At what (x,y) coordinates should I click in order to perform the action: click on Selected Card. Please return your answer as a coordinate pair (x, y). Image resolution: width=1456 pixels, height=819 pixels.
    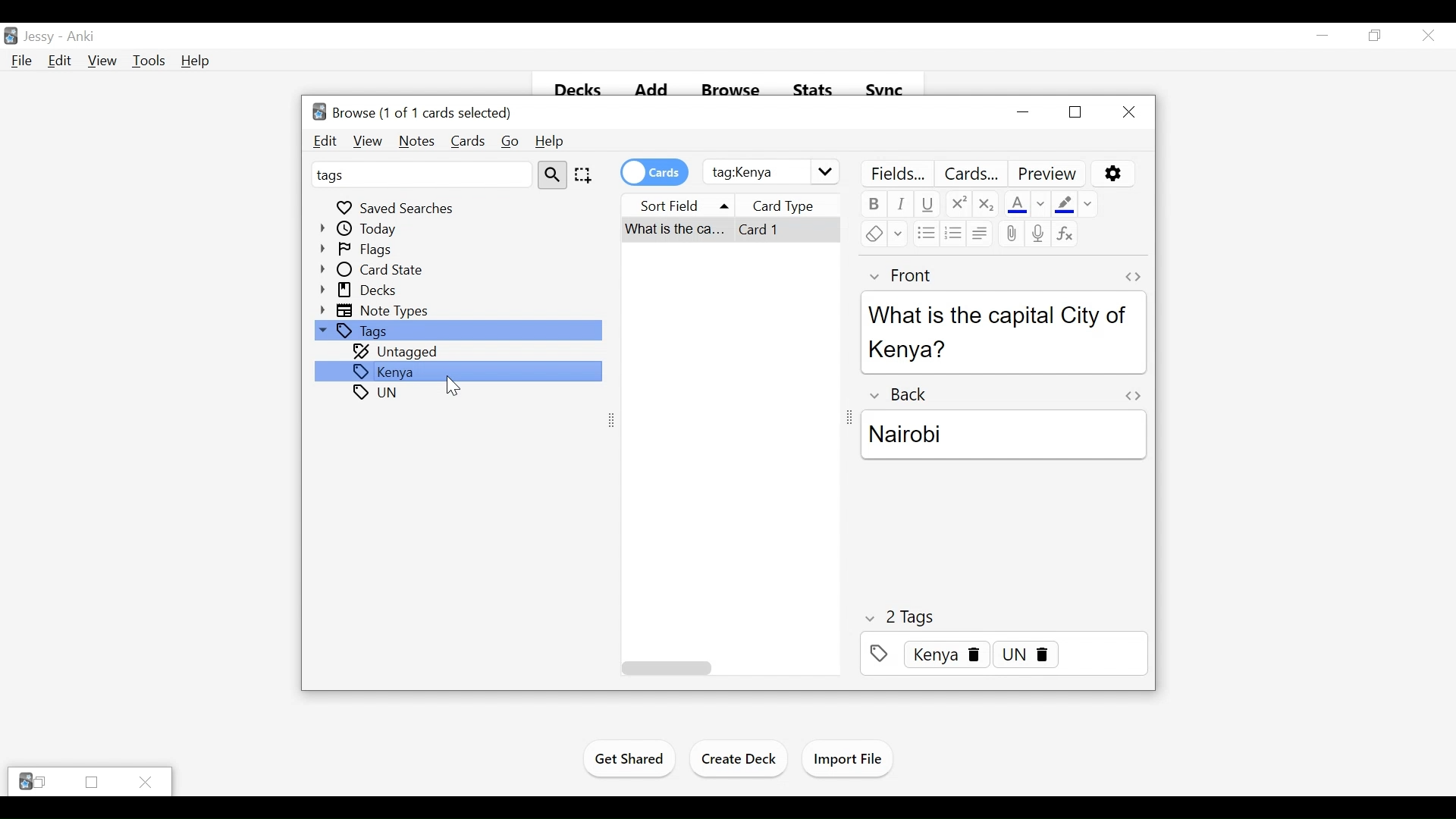
    Looking at the image, I should click on (732, 231).